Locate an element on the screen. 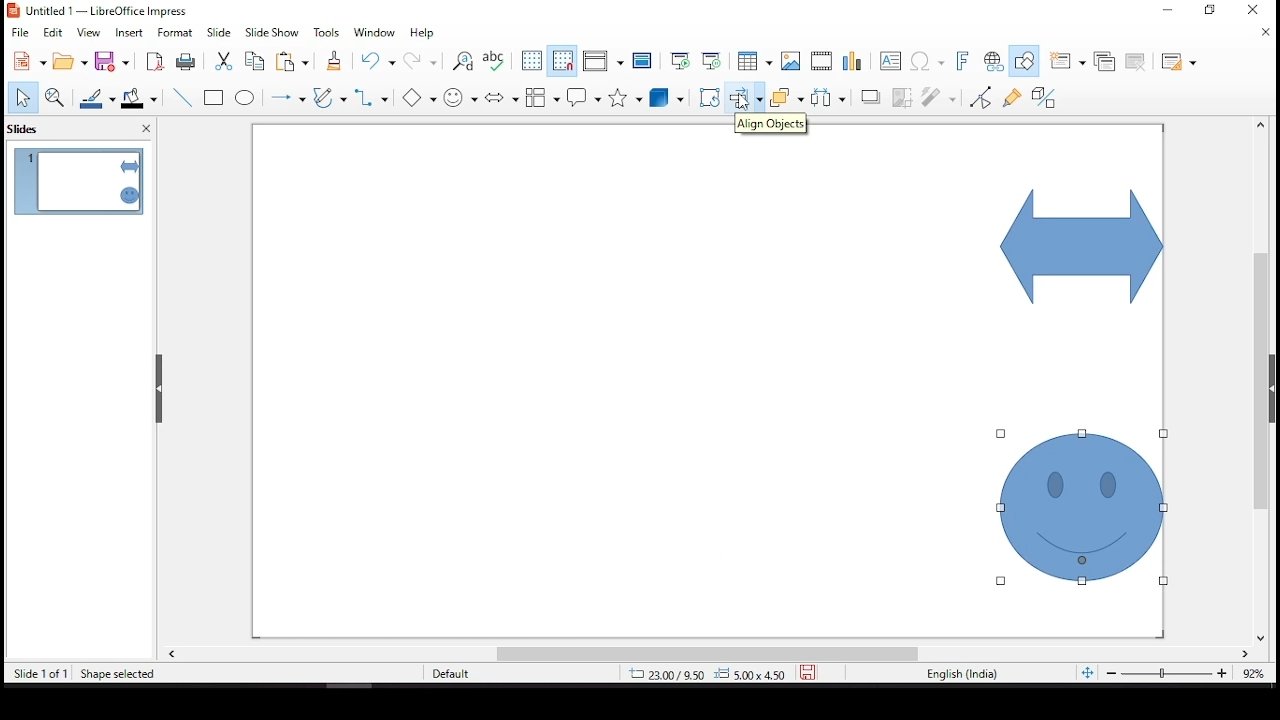 This screenshot has width=1280, height=720. toggle extrusion is located at coordinates (1043, 97).